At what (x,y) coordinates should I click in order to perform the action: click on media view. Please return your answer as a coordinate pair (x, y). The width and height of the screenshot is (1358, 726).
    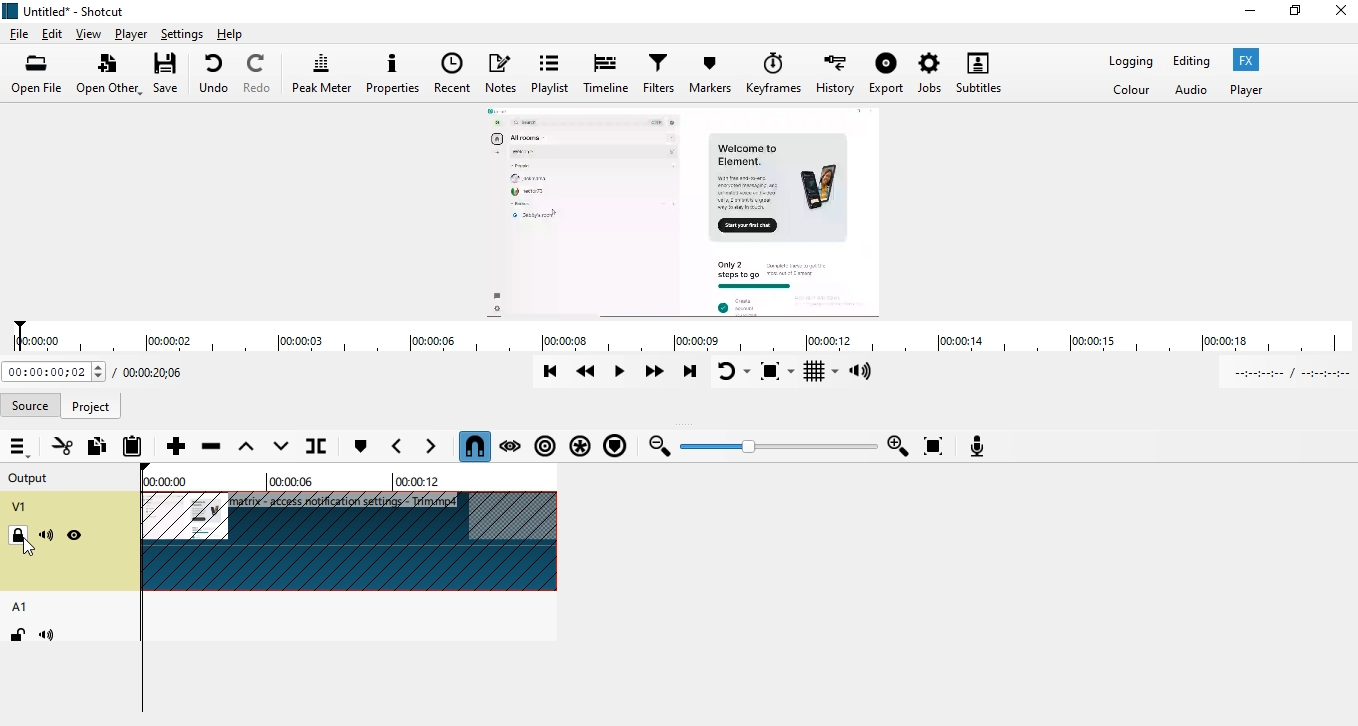
    Looking at the image, I should click on (684, 214).